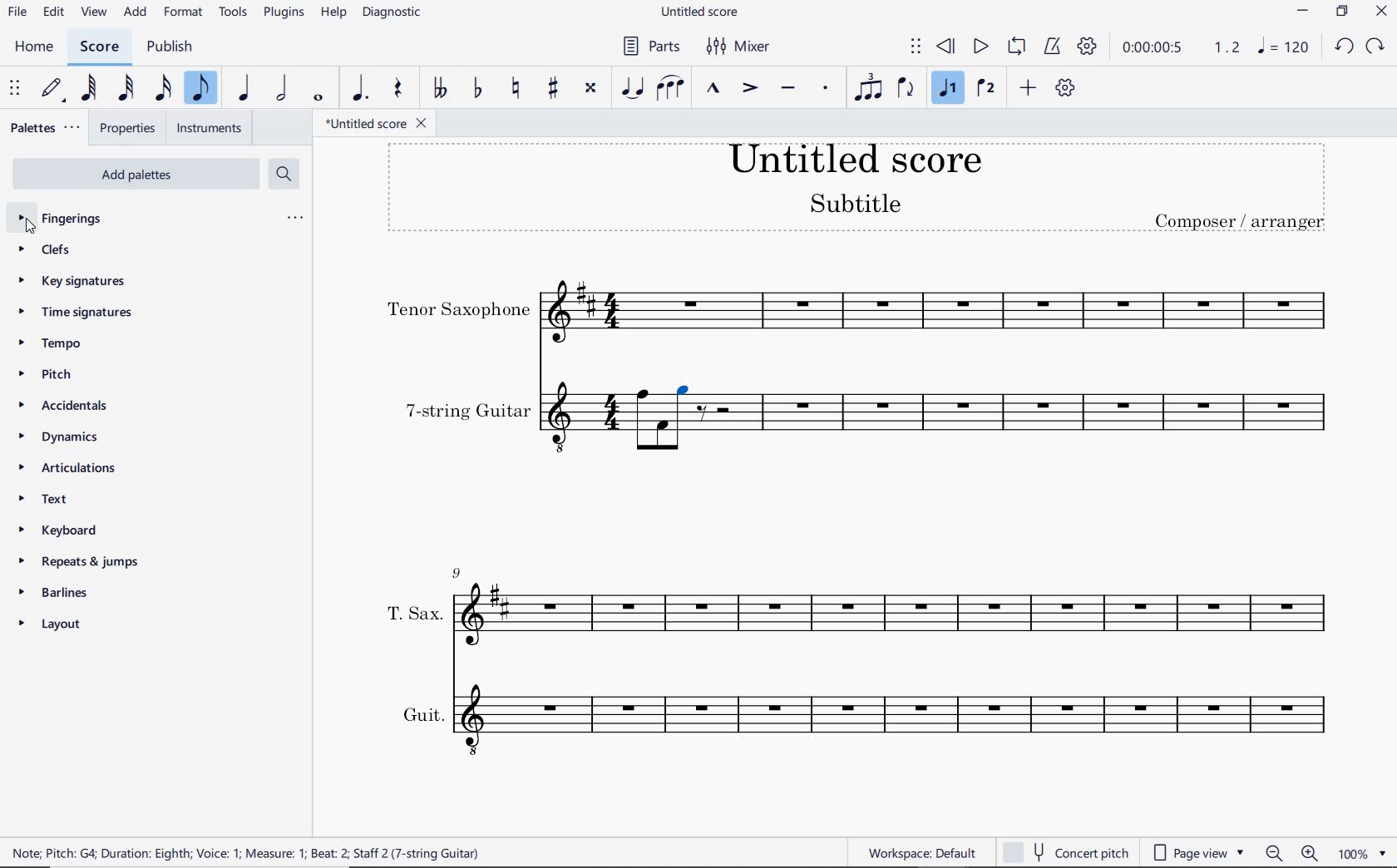 Image resolution: width=1397 pixels, height=868 pixels. Describe the element at coordinates (209, 127) in the screenshot. I see `INSTRUMENTS` at that location.